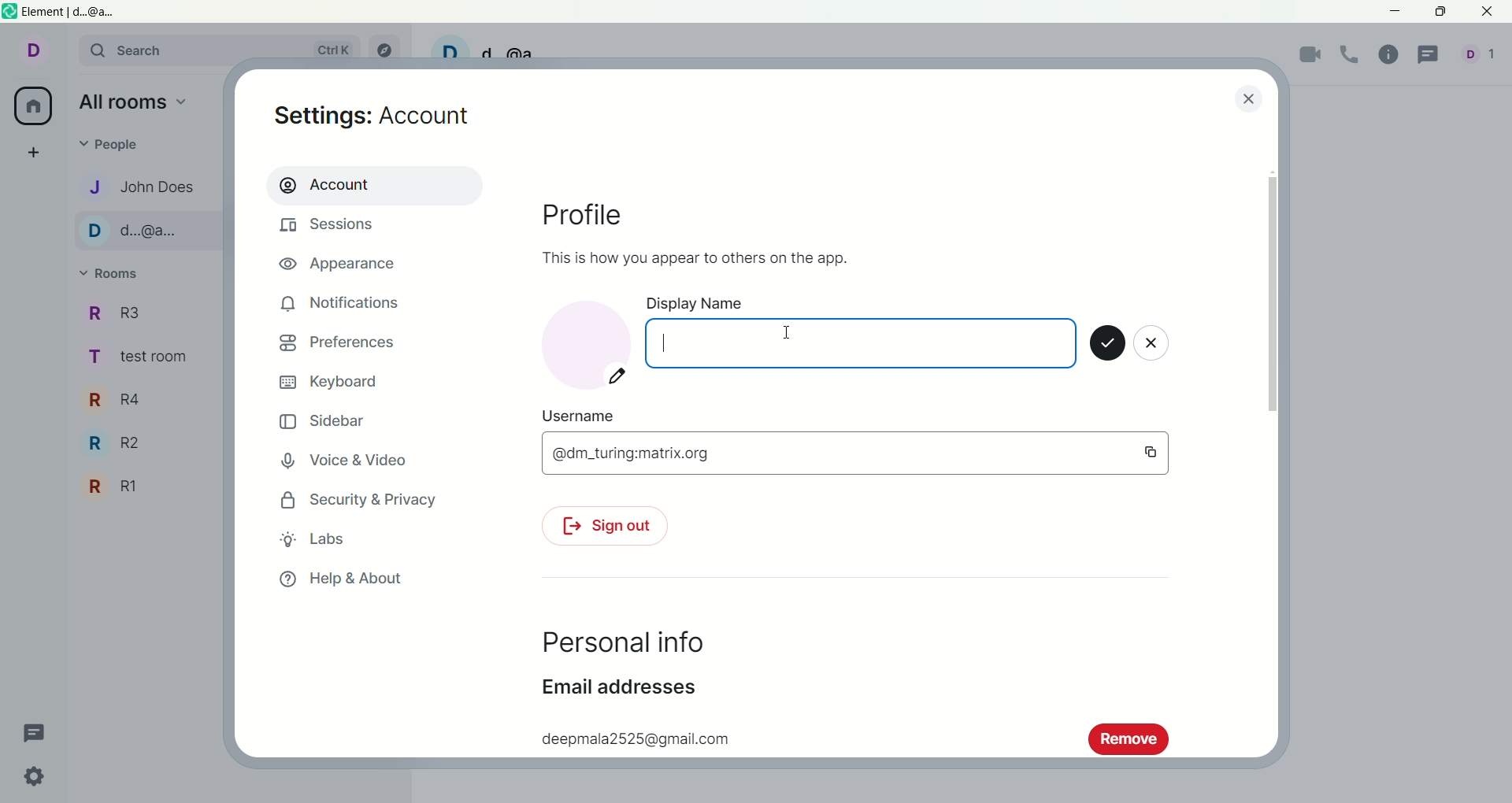 This screenshot has width=1512, height=803. Describe the element at coordinates (788, 334) in the screenshot. I see `mouse cursor` at that location.